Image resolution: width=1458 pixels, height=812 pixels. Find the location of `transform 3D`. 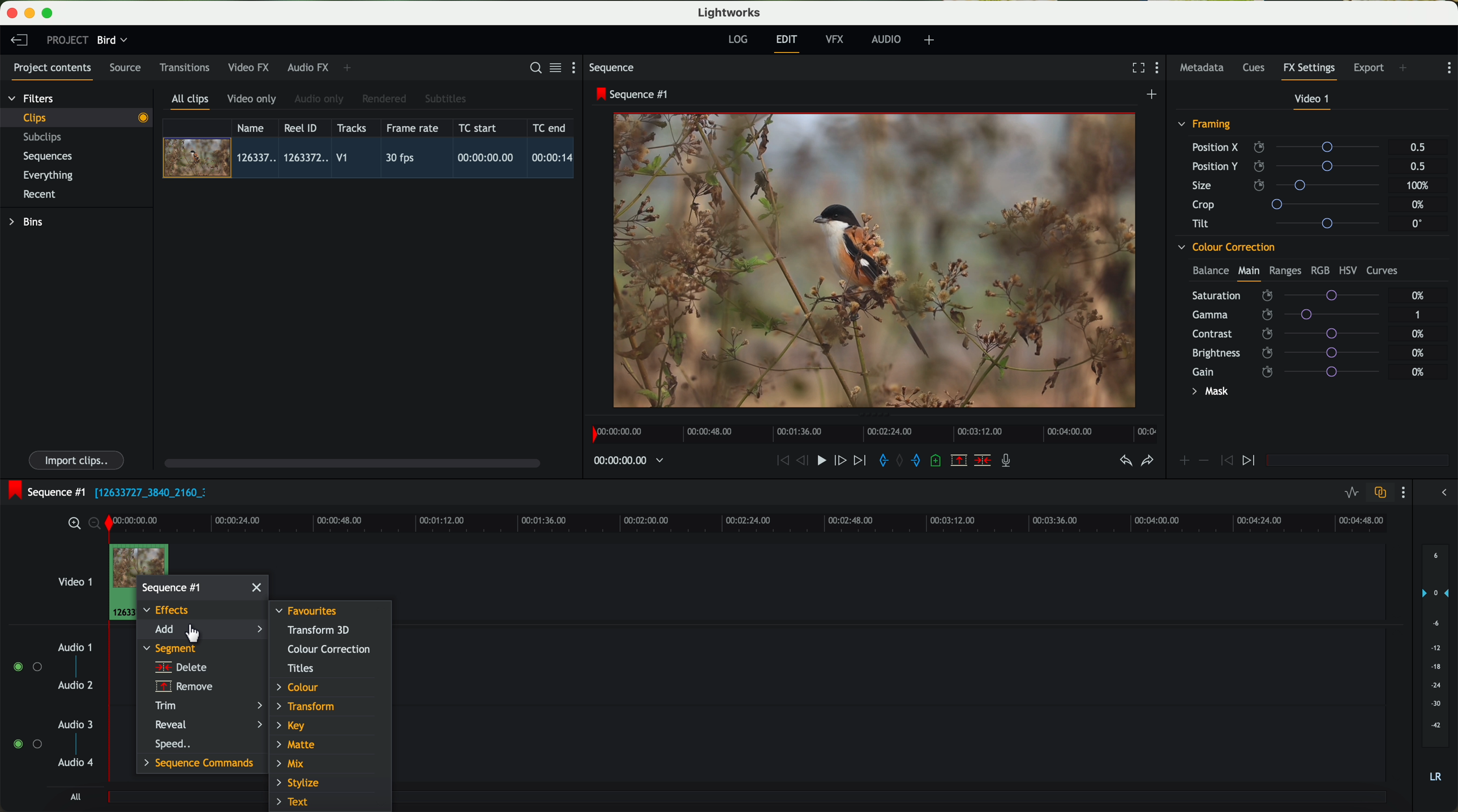

transform 3D is located at coordinates (318, 630).